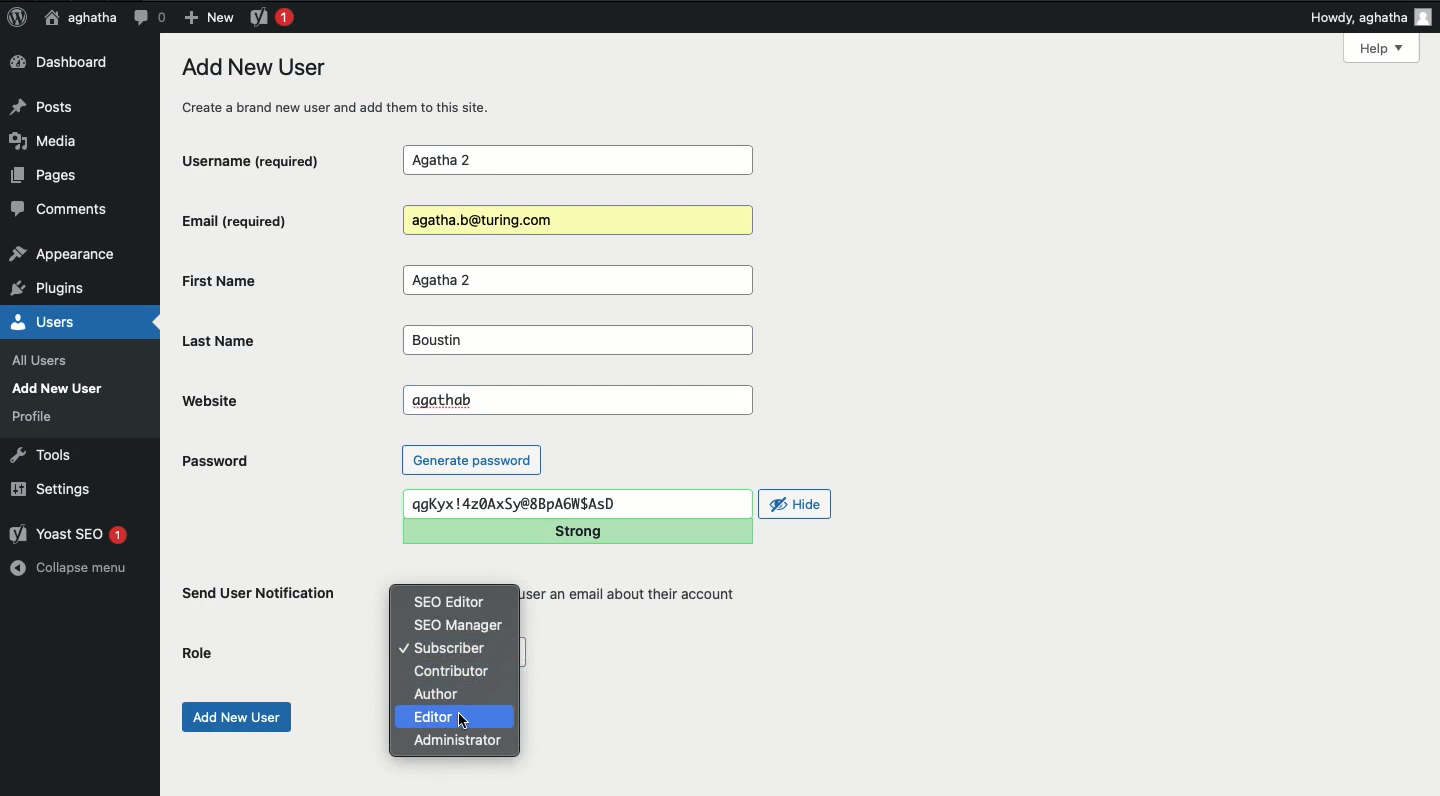 This screenshot has width=1440, height=796. I want to click on Add new user, so click(234, 717).